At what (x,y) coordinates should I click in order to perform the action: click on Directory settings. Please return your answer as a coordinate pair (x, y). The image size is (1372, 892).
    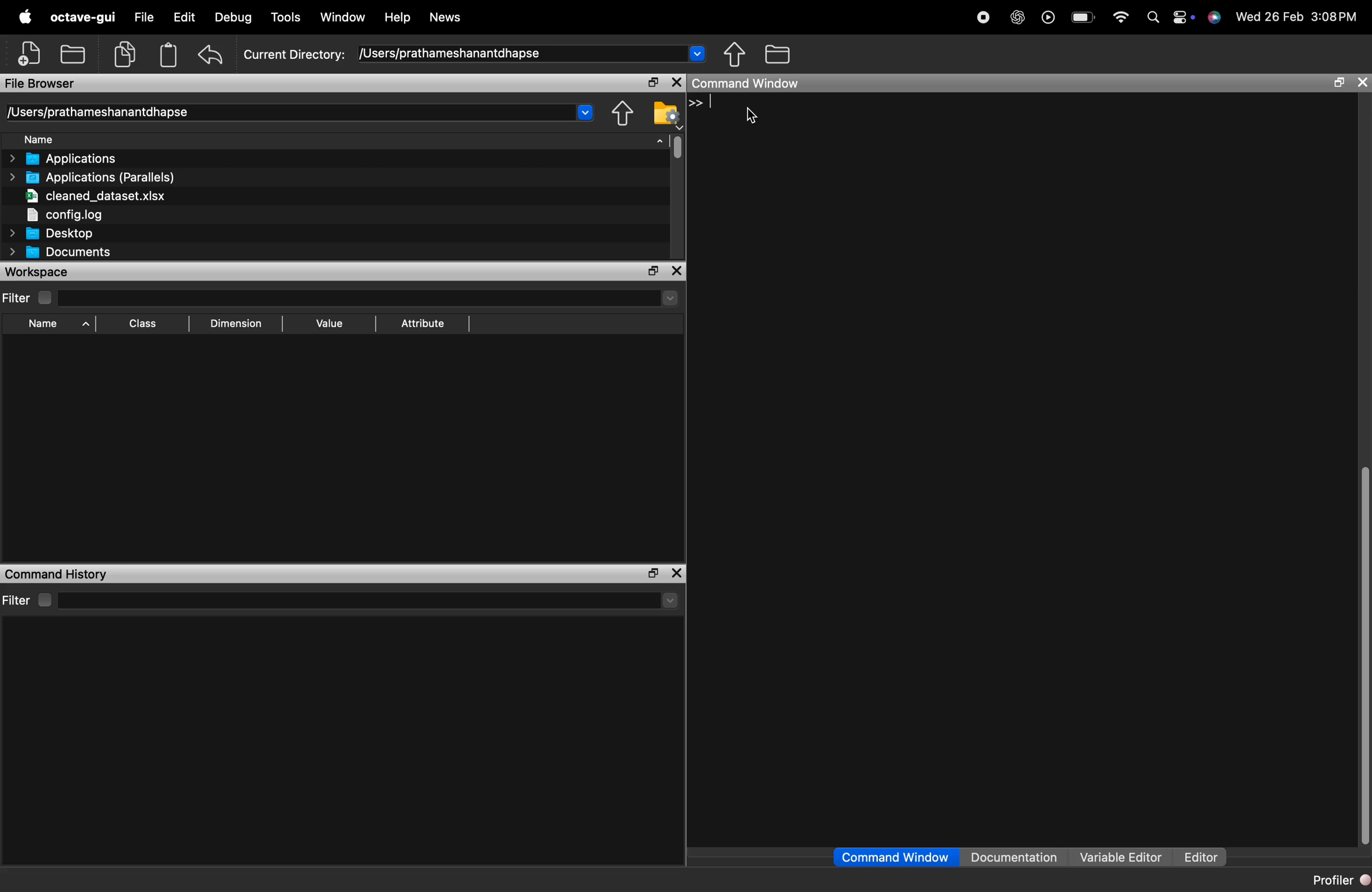
    Looking at the image, I should click on (620, 114).